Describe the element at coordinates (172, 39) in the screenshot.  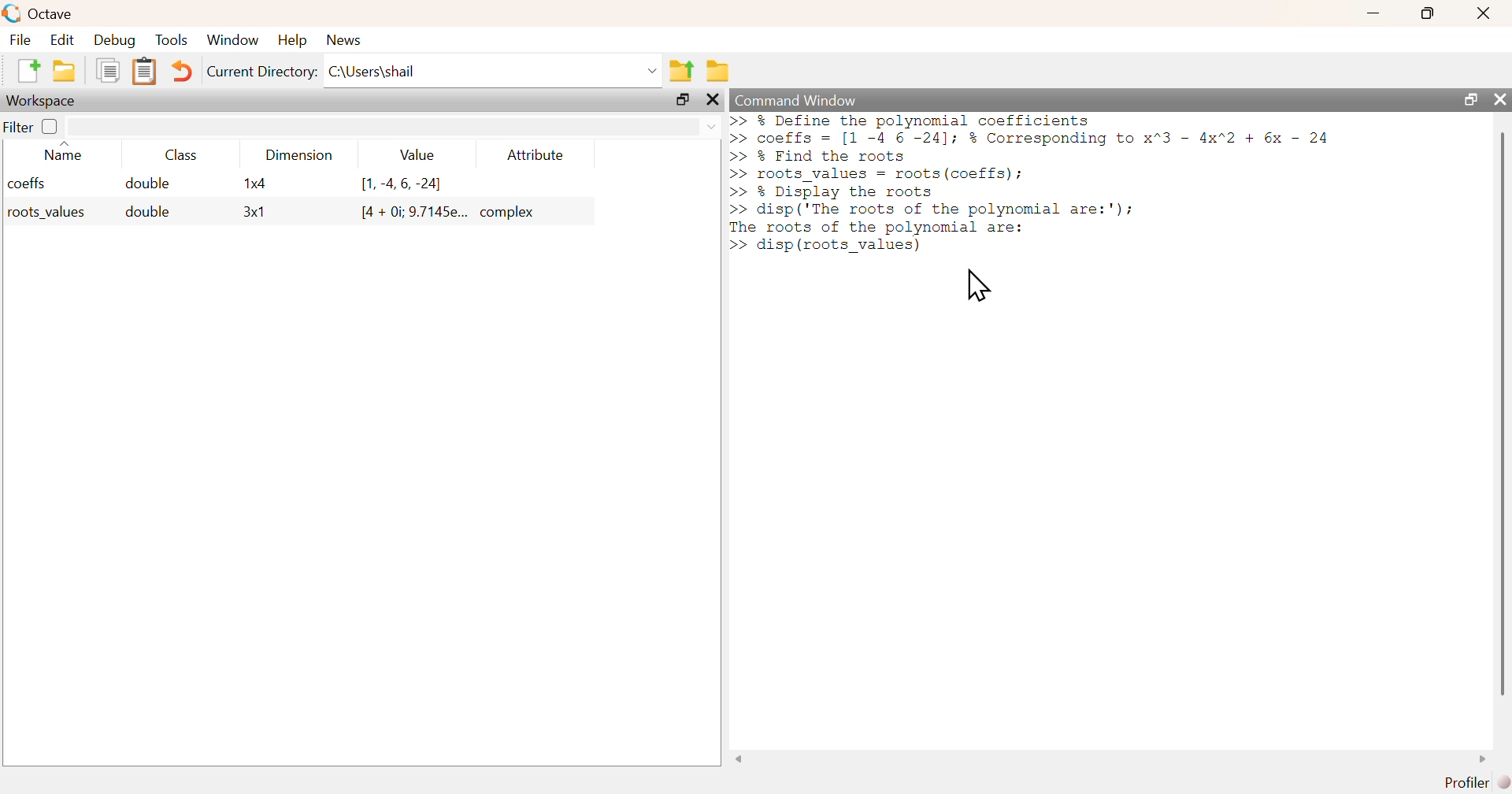
I see `Tools` at that location.